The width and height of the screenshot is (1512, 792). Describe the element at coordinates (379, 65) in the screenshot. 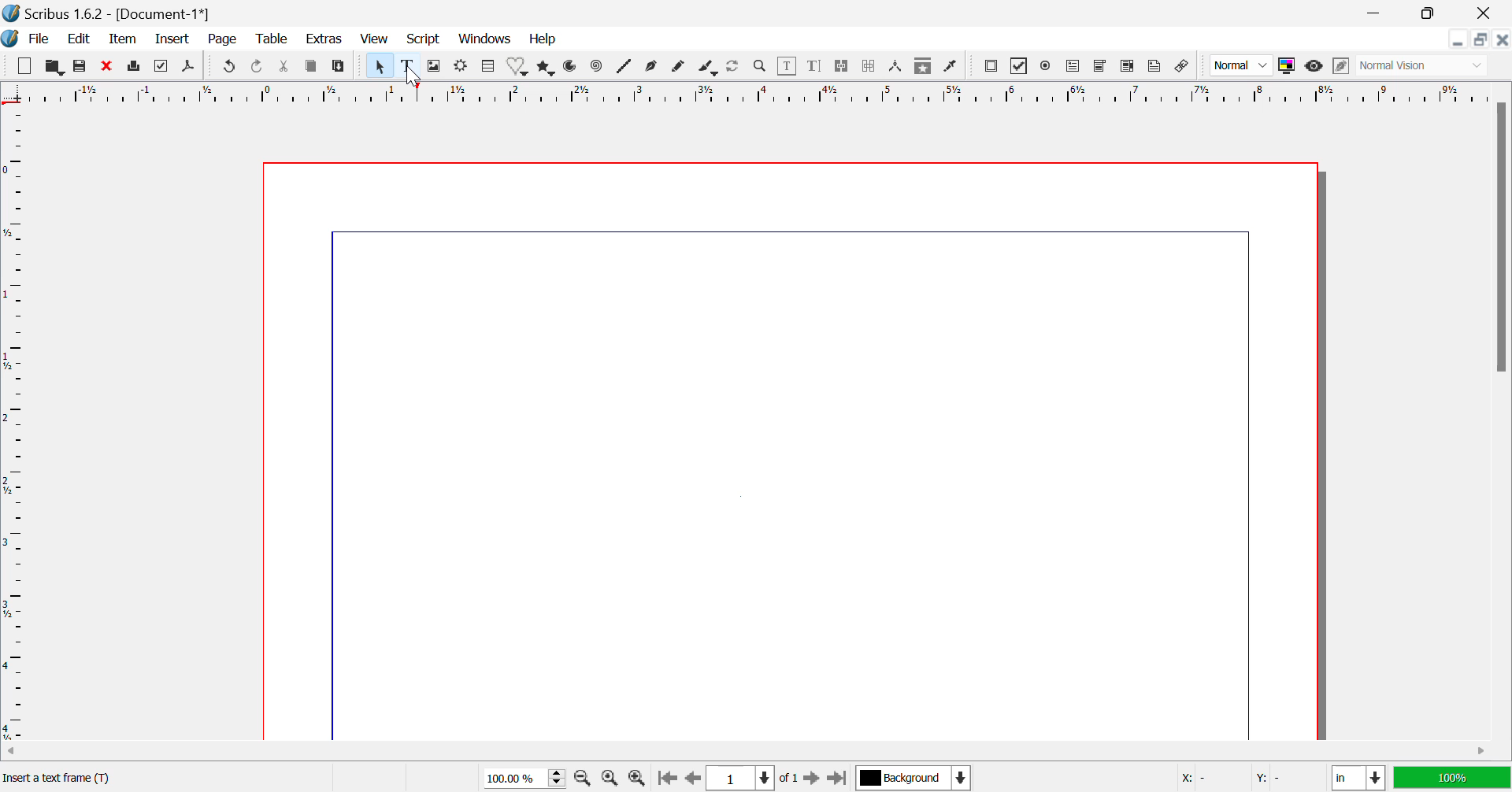

I see `Select` at that location.